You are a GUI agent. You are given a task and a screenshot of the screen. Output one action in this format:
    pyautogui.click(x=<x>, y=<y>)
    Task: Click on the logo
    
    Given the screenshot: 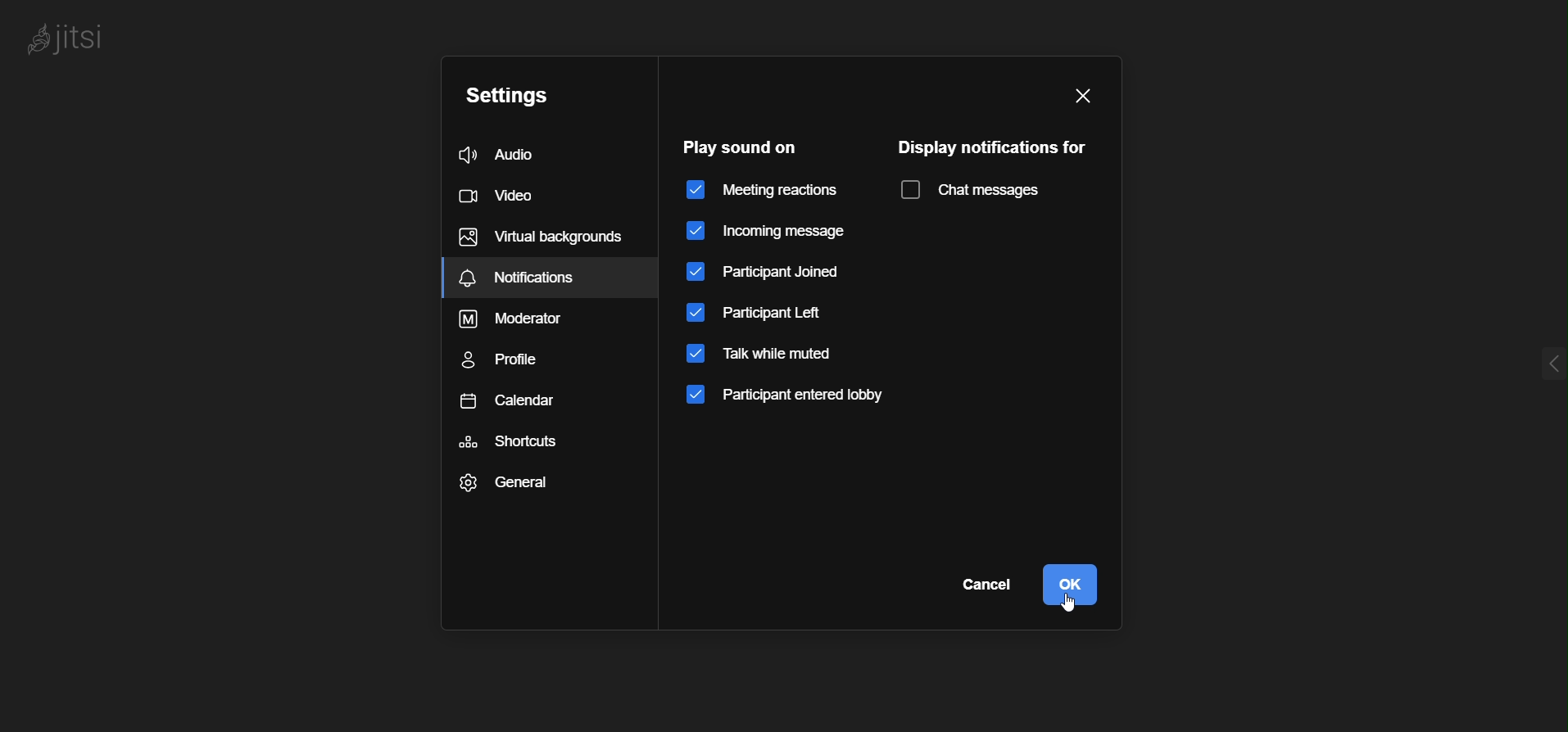 What is the action you would take?
    pyautogui.click(x=89, y=34)
    